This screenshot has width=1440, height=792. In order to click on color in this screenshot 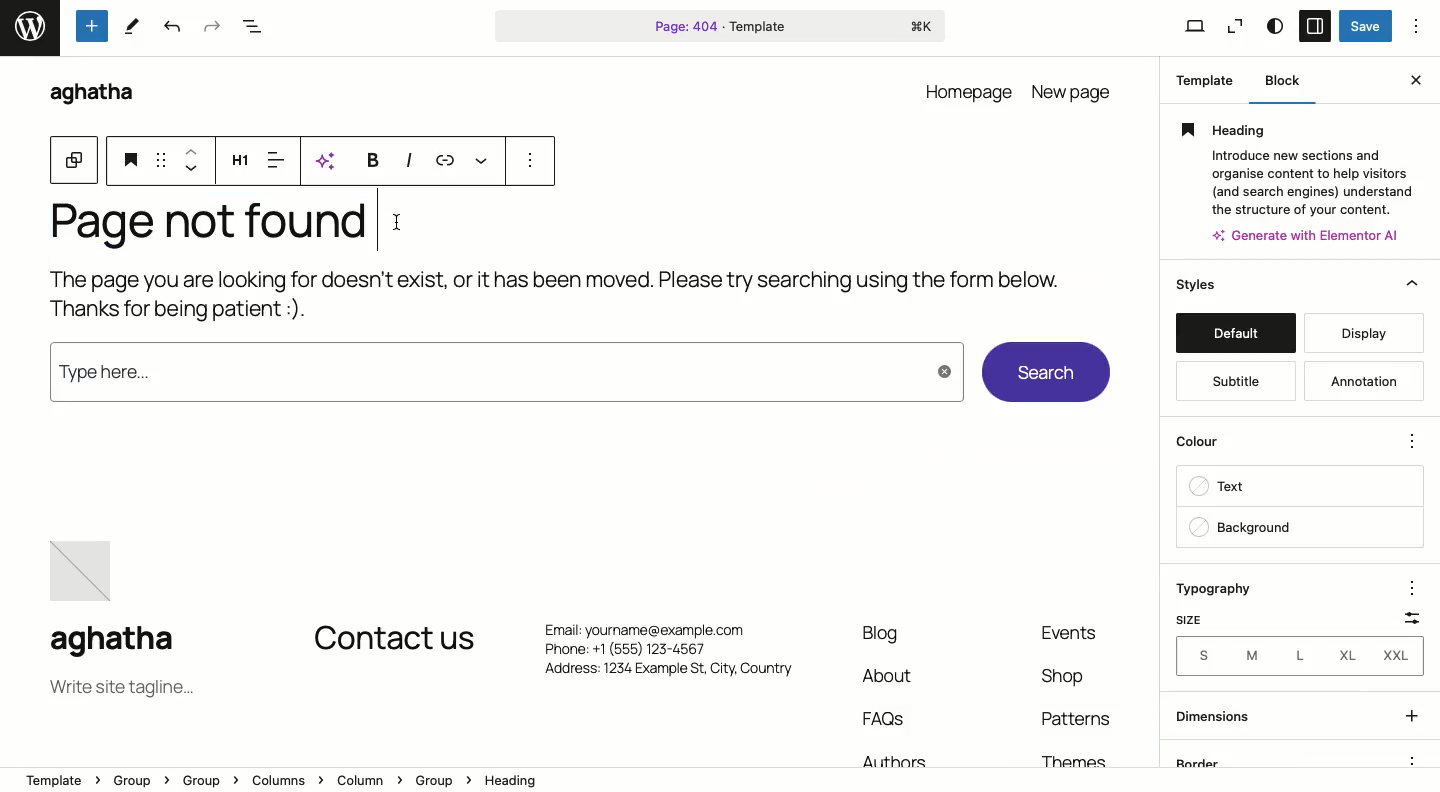, I will do `click(1204, 440)`.